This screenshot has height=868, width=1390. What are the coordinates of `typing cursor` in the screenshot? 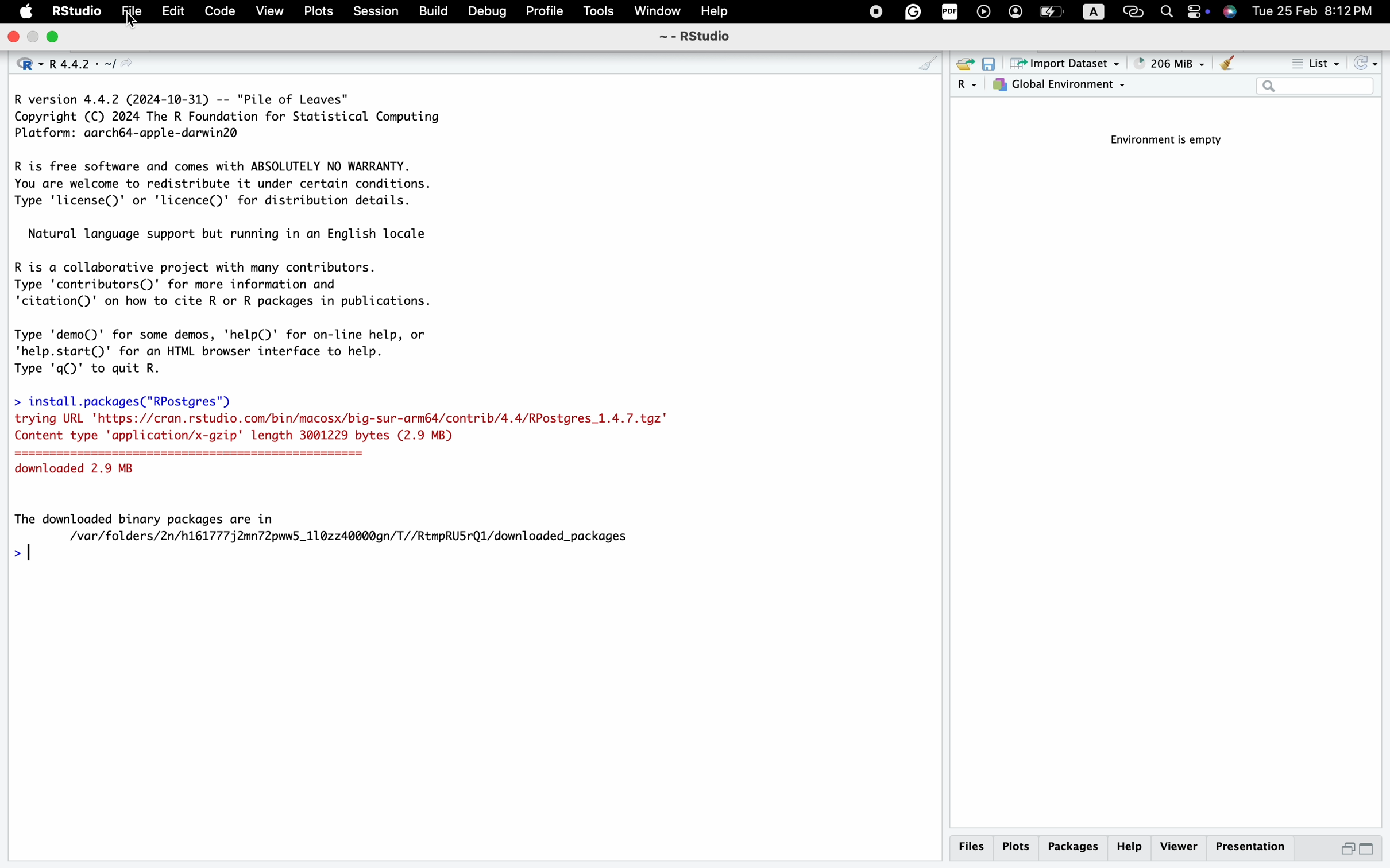 It's located at (36, 555).